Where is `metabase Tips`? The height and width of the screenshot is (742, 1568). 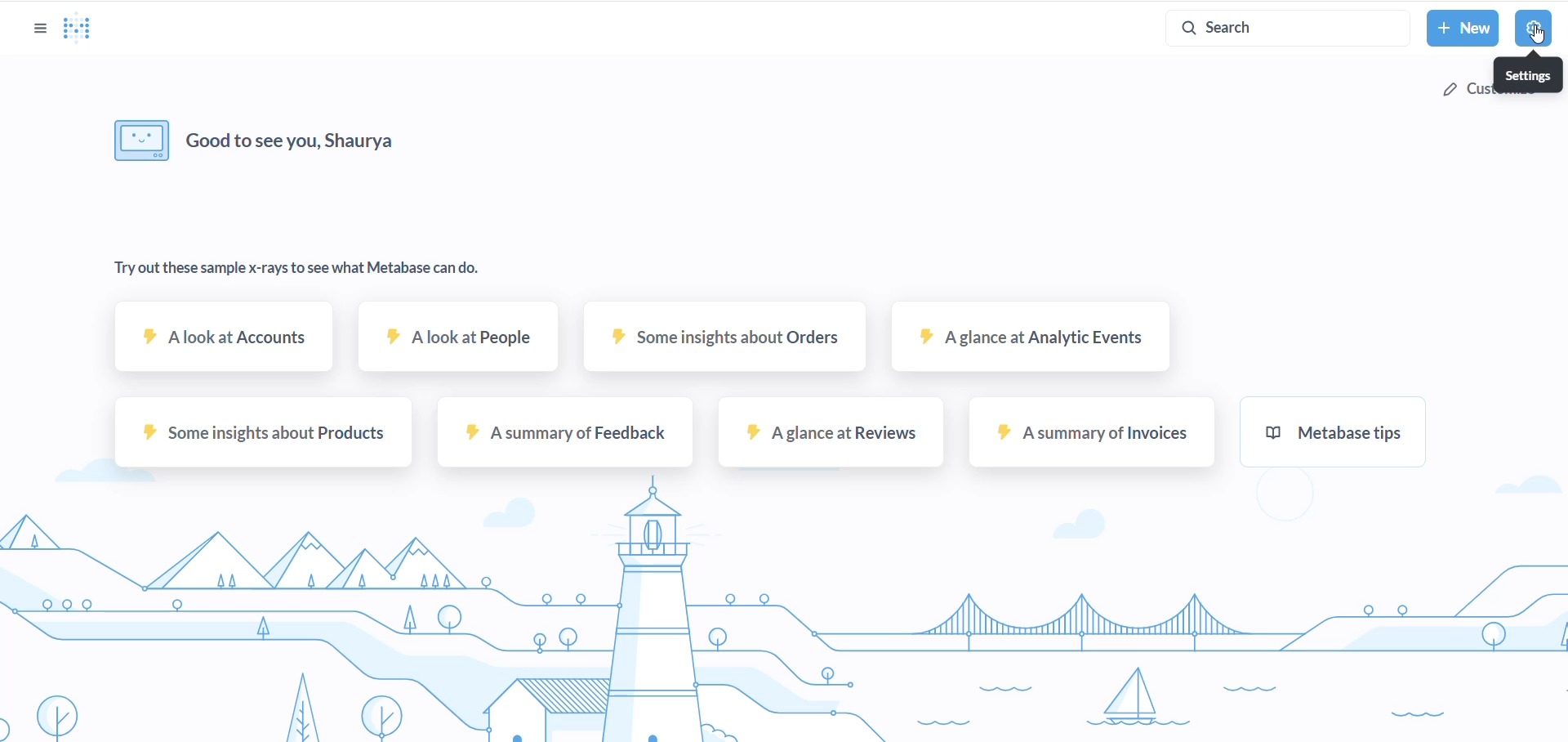 metabase Tips is located at coordinates (1351, 440).